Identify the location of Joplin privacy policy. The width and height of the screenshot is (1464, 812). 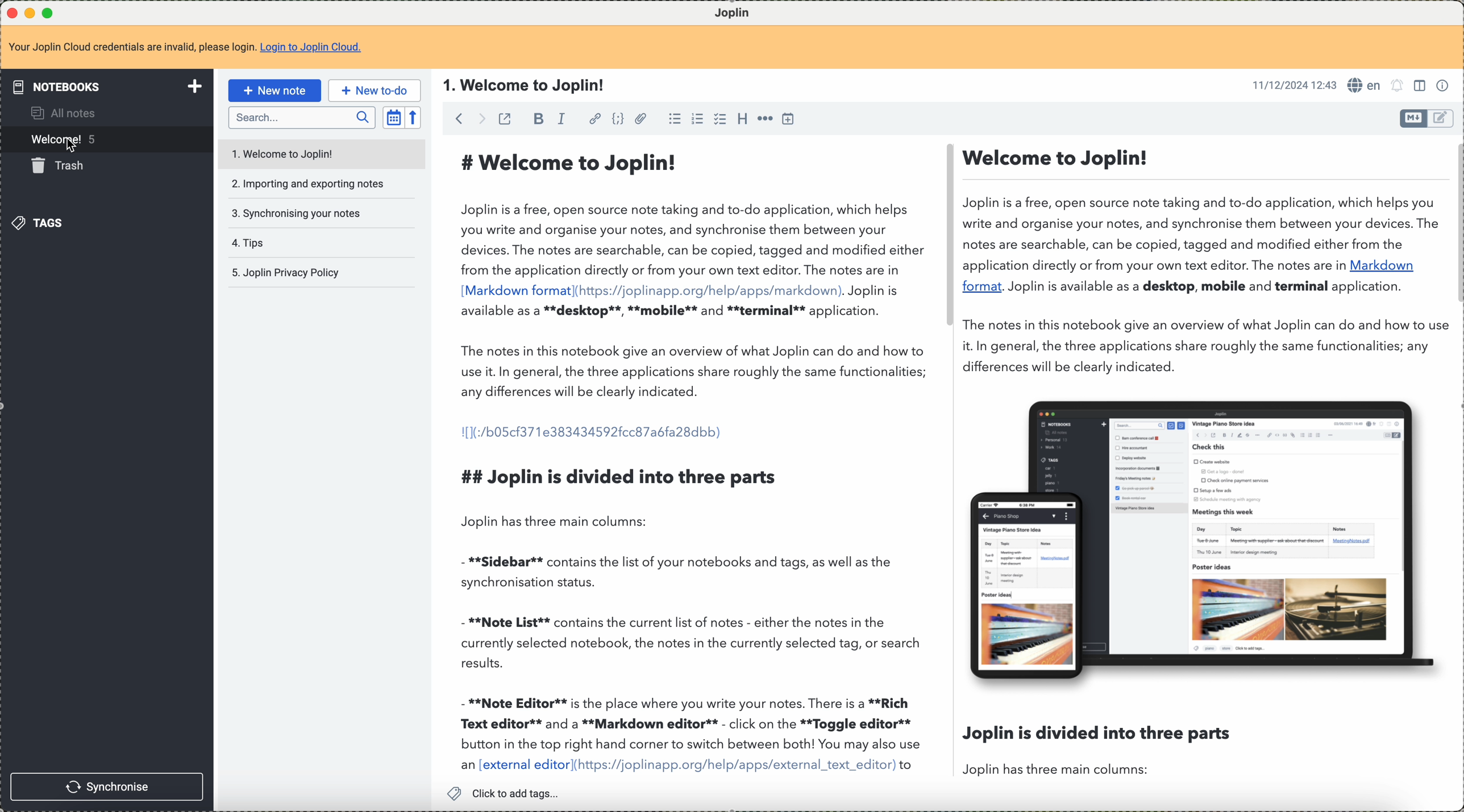
(285, 272).